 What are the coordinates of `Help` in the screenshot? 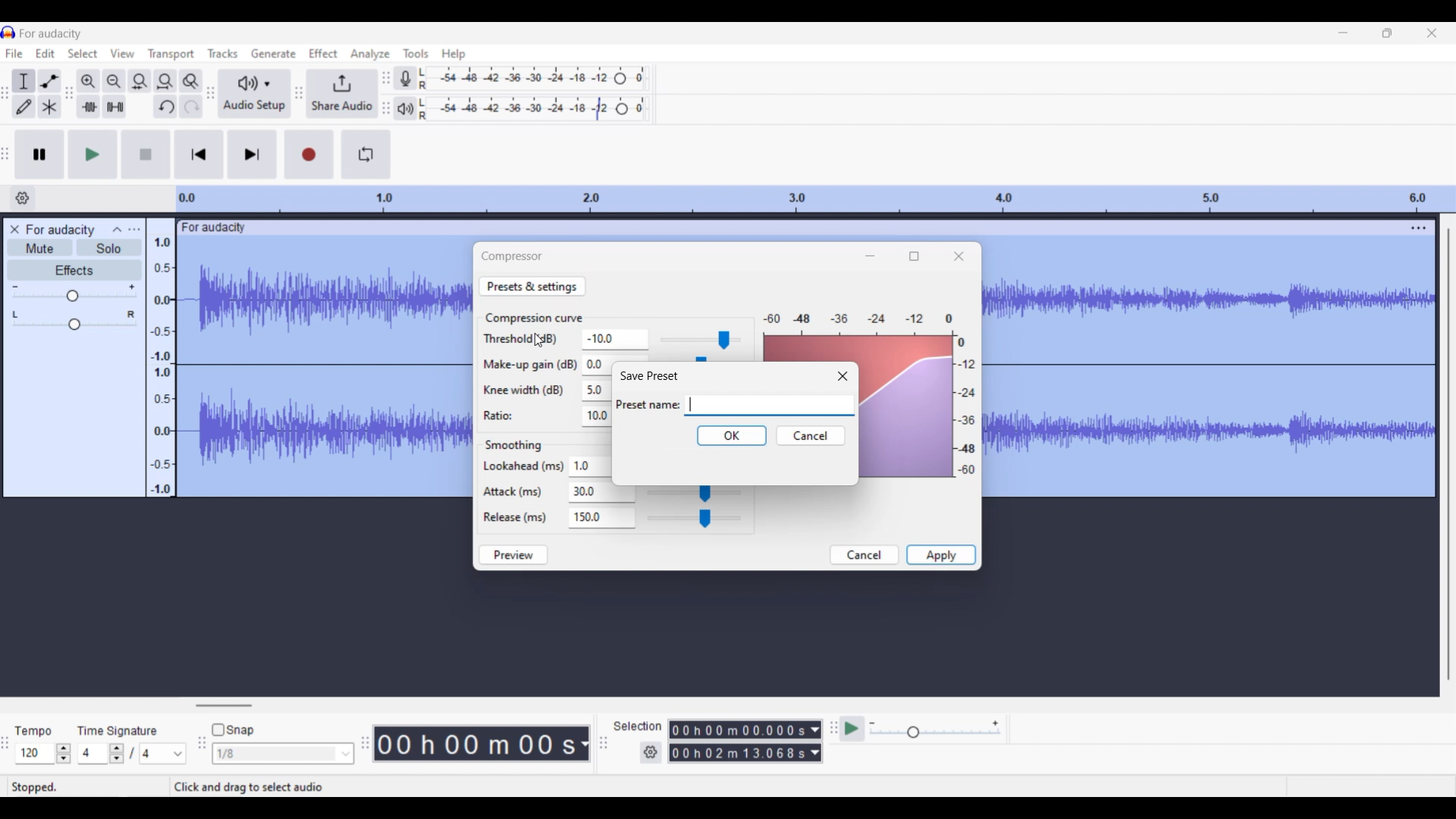 It's located at (454, 55).